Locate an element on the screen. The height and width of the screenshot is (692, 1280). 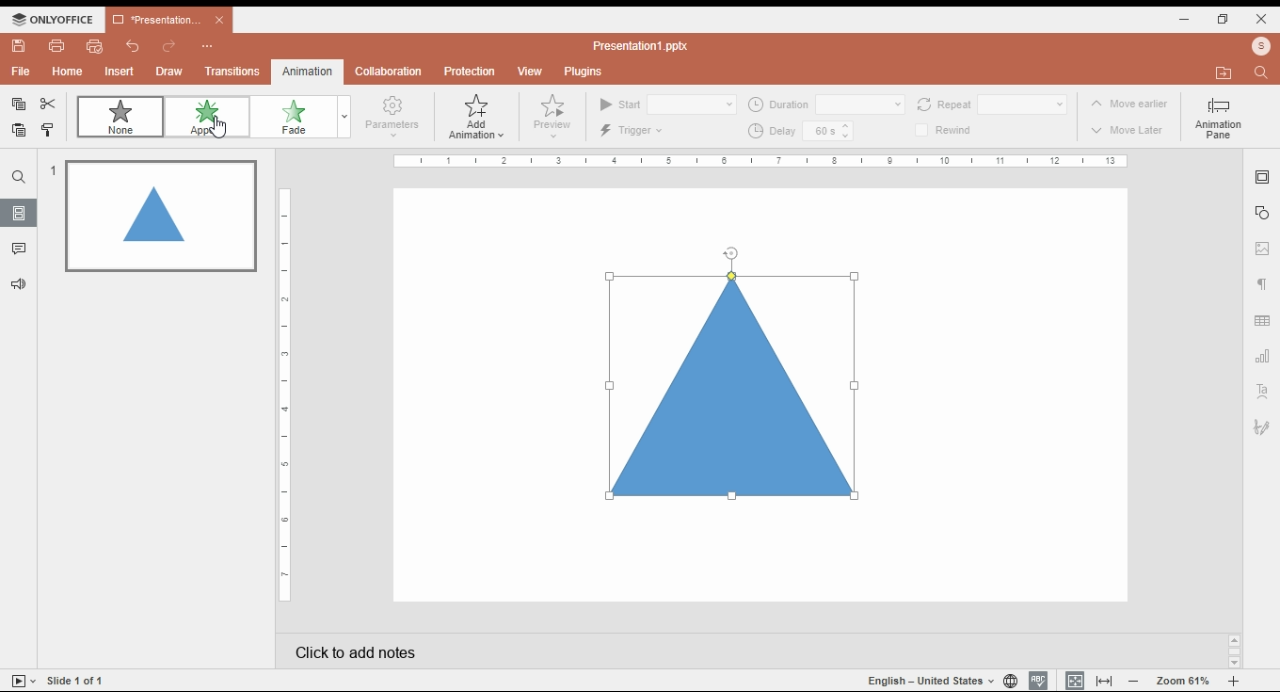
click add notes is located at coordinates (536, 653).